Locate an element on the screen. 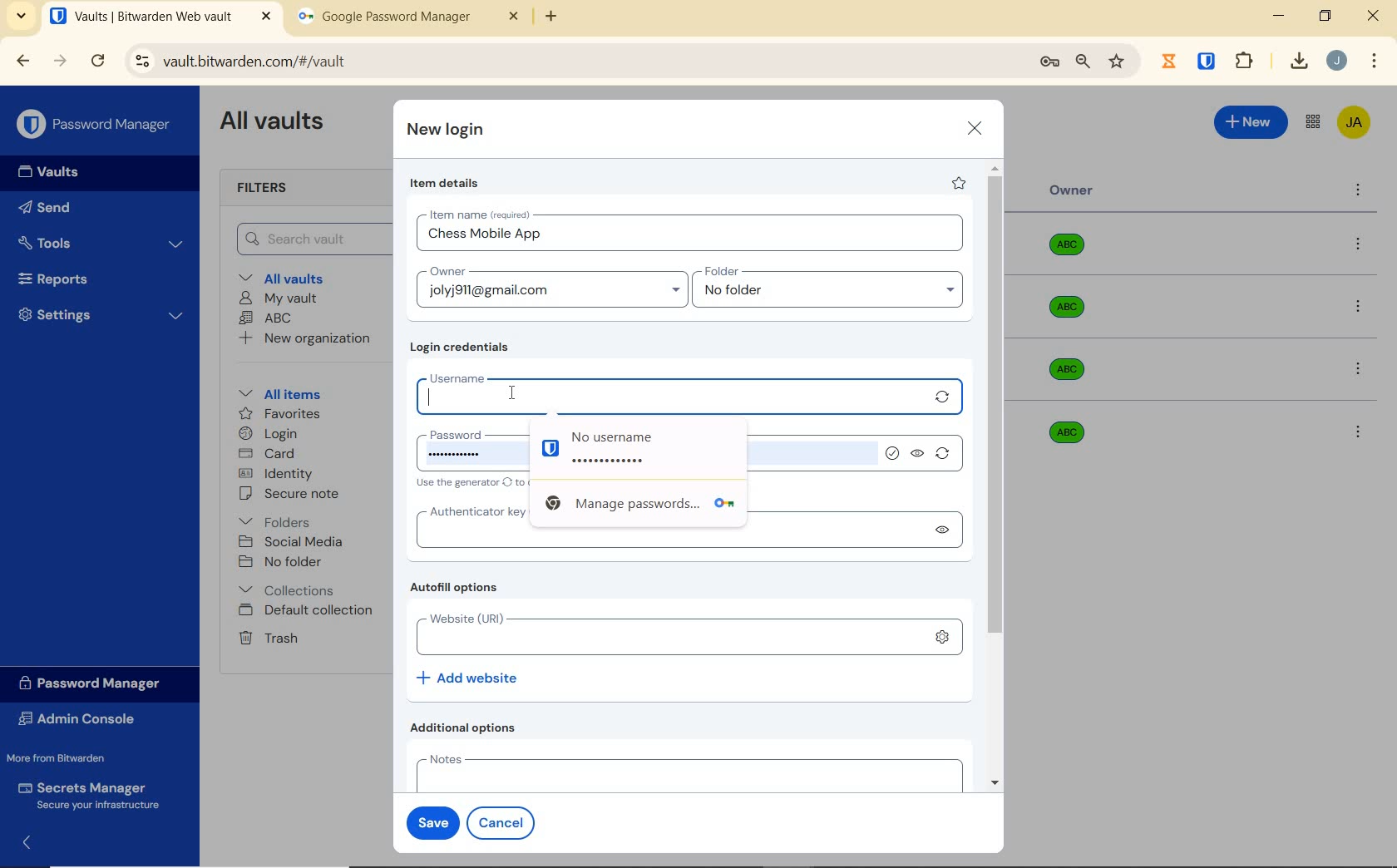 This screenshot has height=868, width=1397. All items is located at coordinates (277, 392).